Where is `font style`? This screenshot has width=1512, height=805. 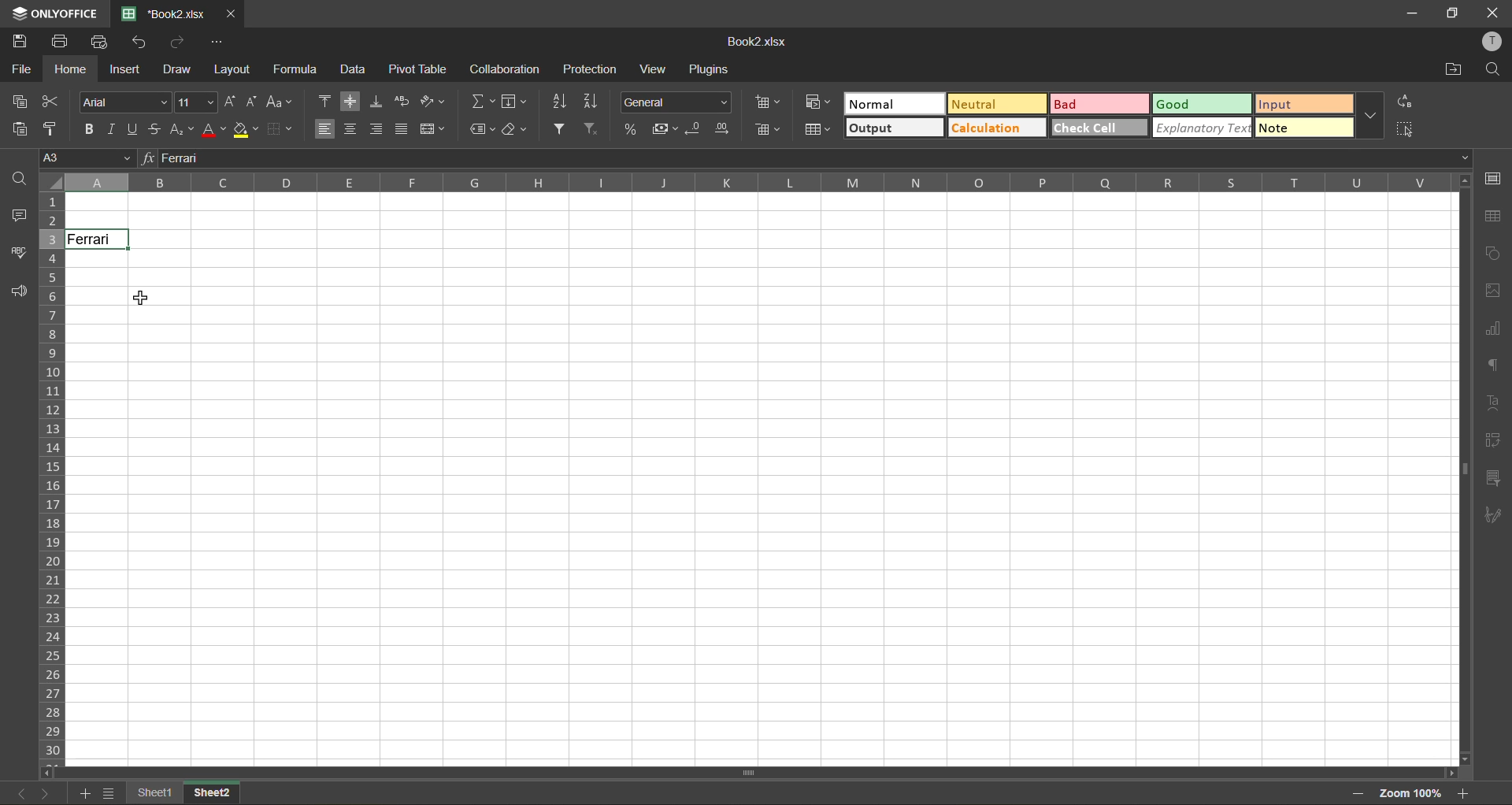 font style is located at coordinates (122, 101).